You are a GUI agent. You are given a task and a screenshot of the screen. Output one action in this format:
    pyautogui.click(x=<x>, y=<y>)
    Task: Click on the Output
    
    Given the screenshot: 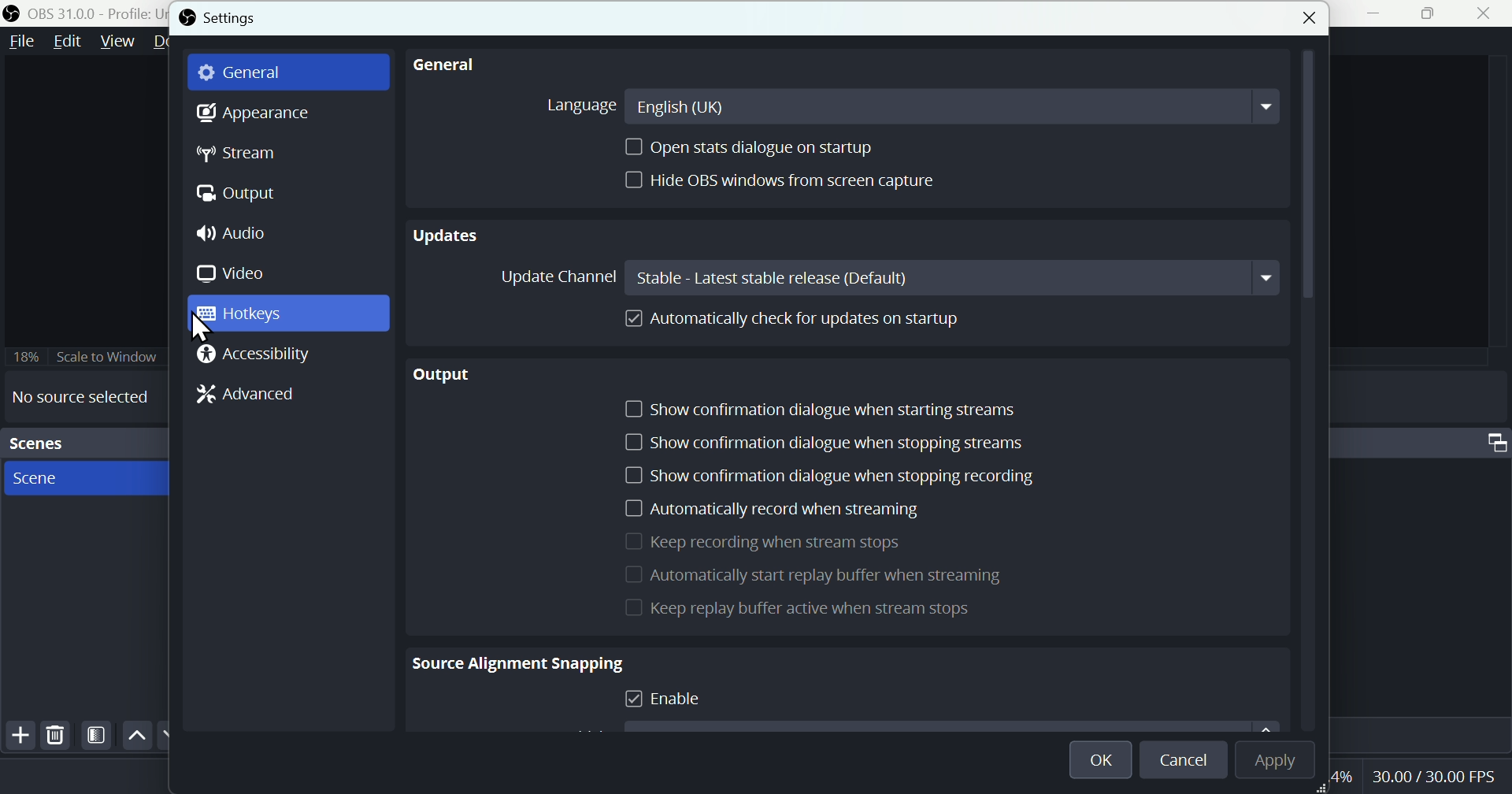 What is the action you would take?
    pyautogui.click(x=245, y=195)
    